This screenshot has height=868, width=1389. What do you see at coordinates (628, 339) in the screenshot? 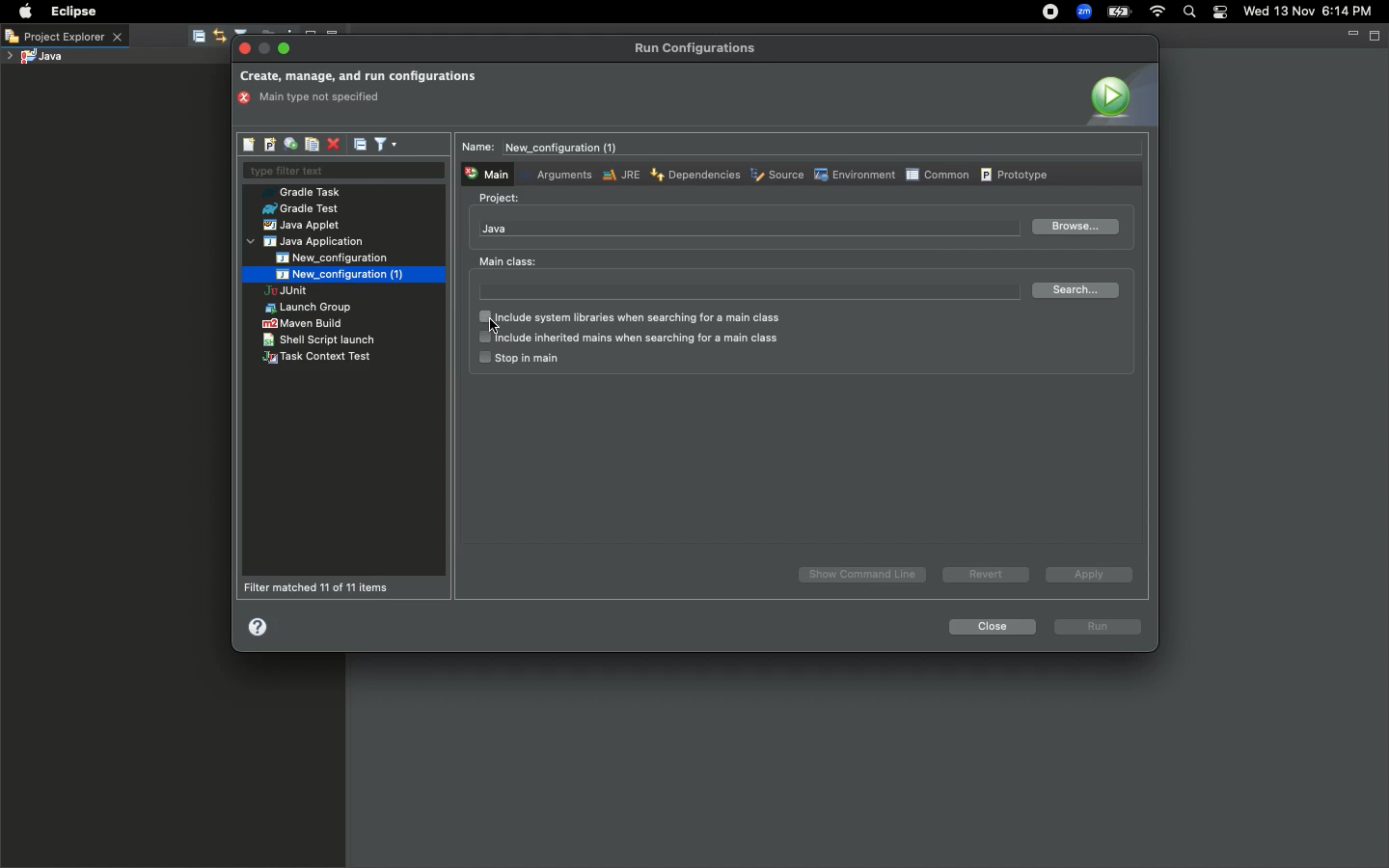
I see `include inherited mains when searching for a main class` at bounding box center [628, 339].